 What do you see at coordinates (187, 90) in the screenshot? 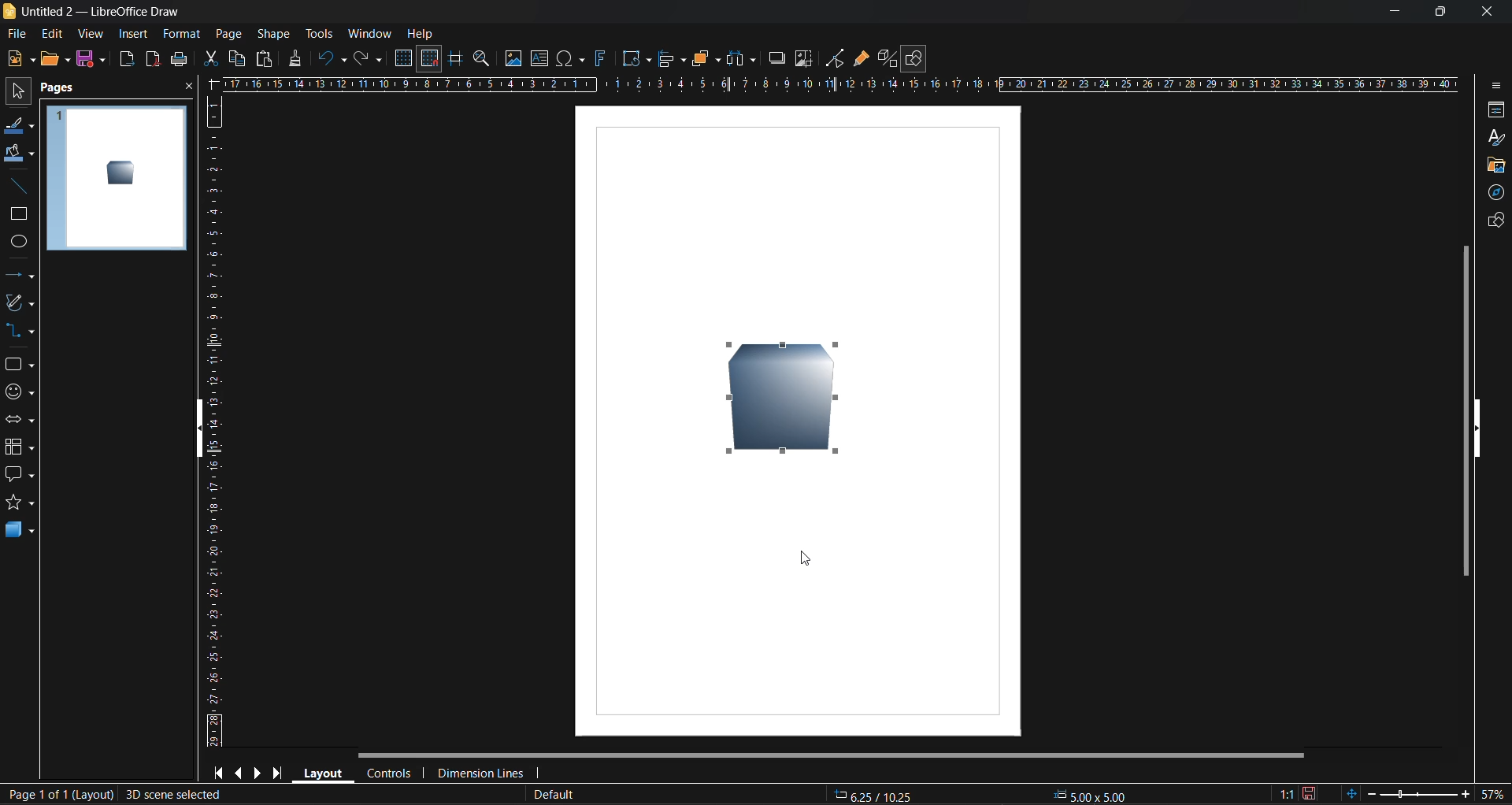
I see `close` at bounding box center [187, 90].